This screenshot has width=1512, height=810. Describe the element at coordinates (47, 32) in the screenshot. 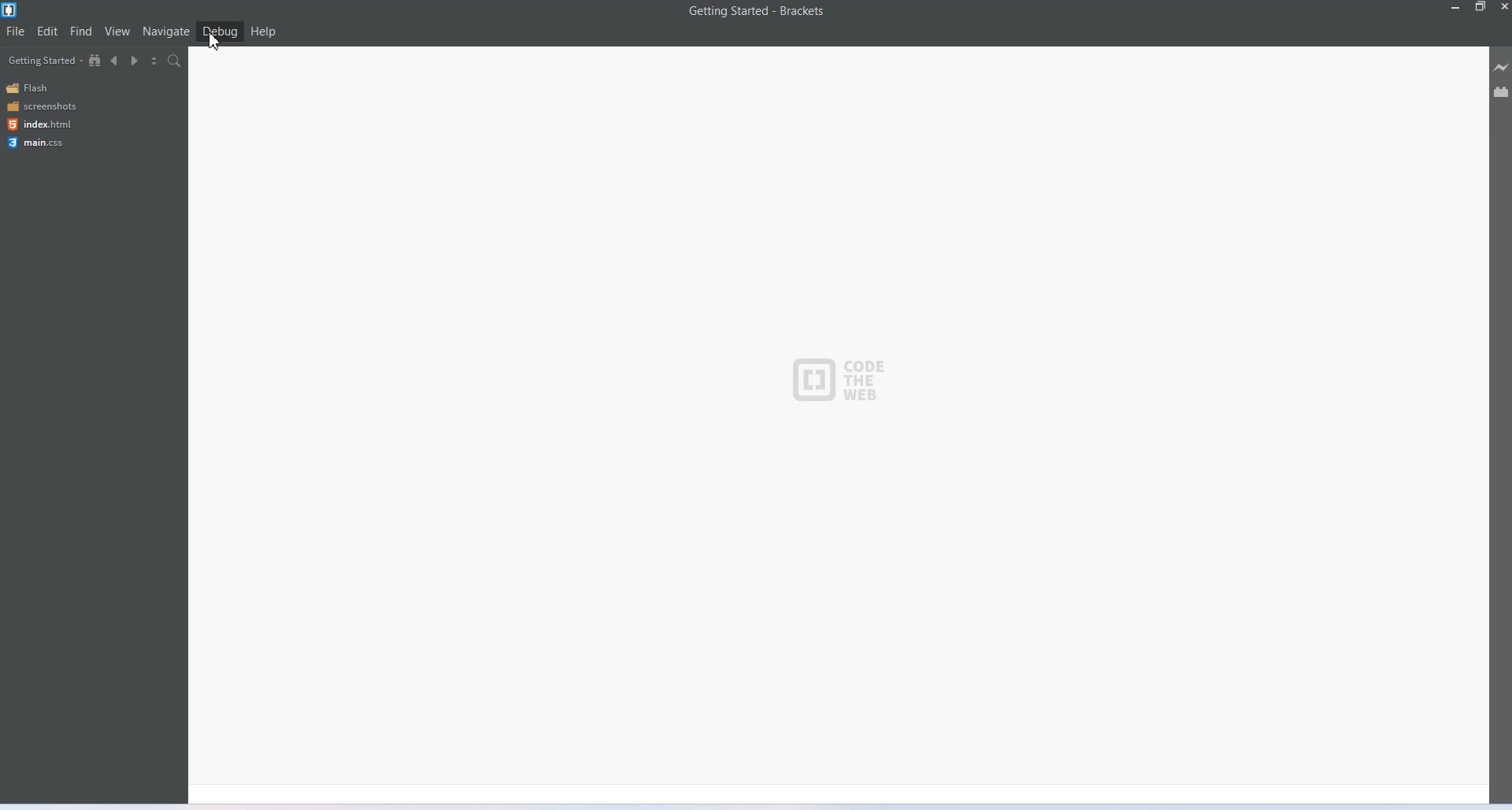

I see `Edit` at that location.